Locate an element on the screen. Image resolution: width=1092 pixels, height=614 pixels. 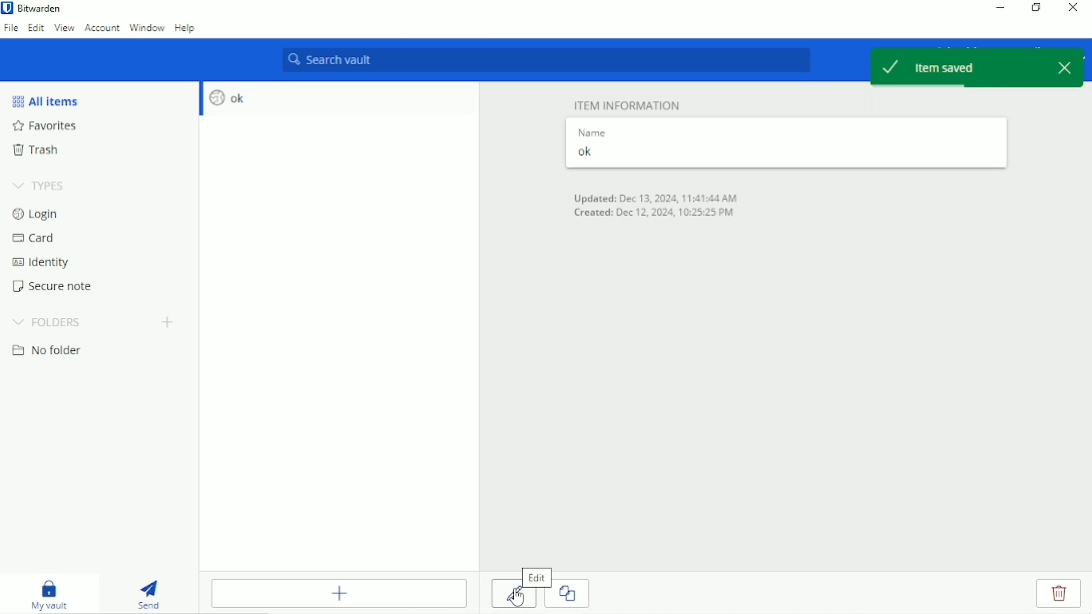
Created on Dec 12, 2024, 10:25:25 PM is located at coordinates (653, 214).